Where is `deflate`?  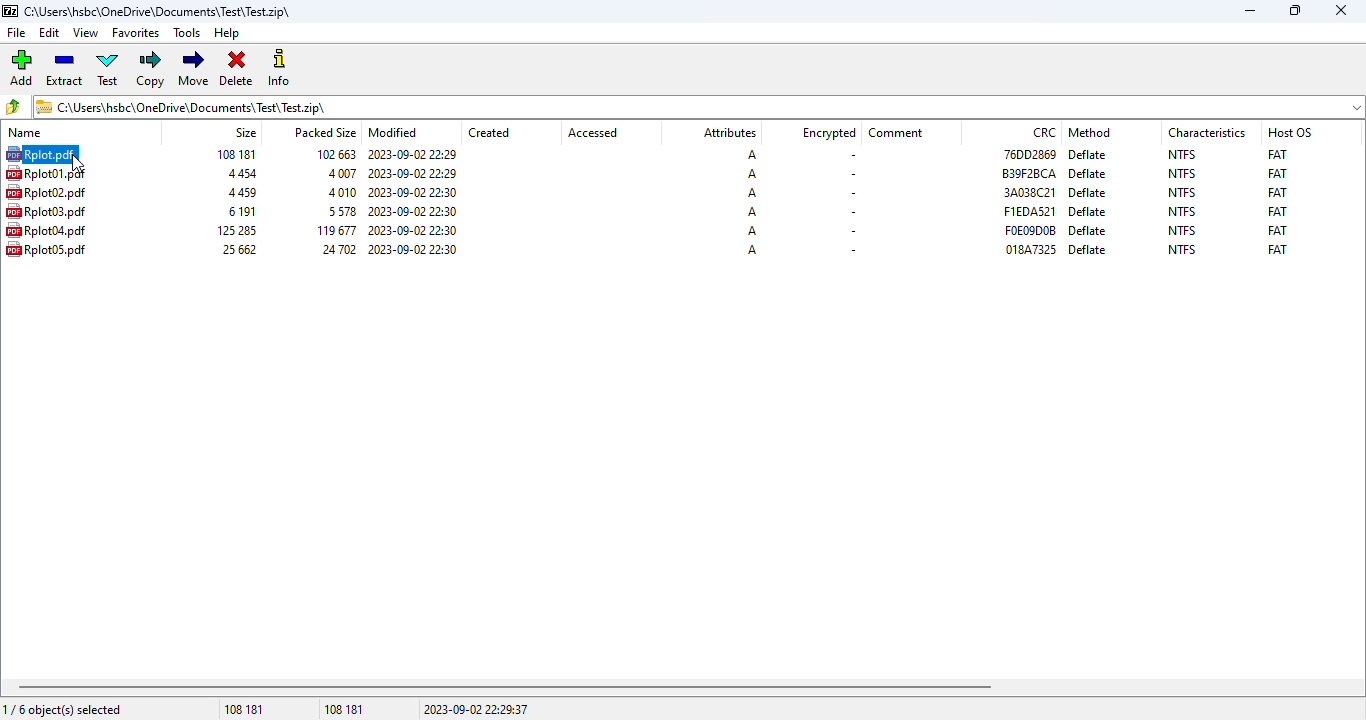
deflate is located at coordinates (1089, 230).